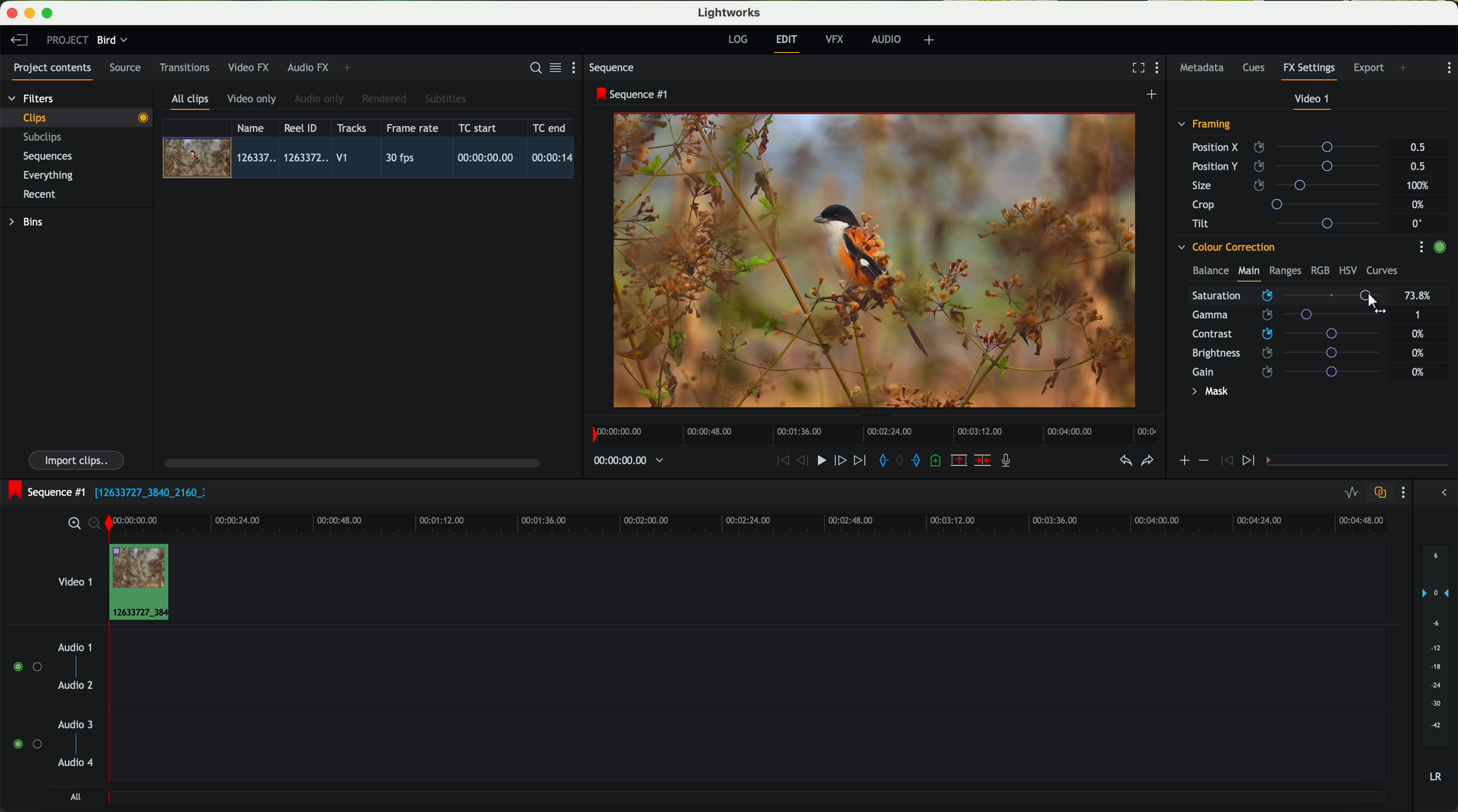 The width and height of the screenshot is (1458, 812). I want to click on timeline, so click(623, 461).